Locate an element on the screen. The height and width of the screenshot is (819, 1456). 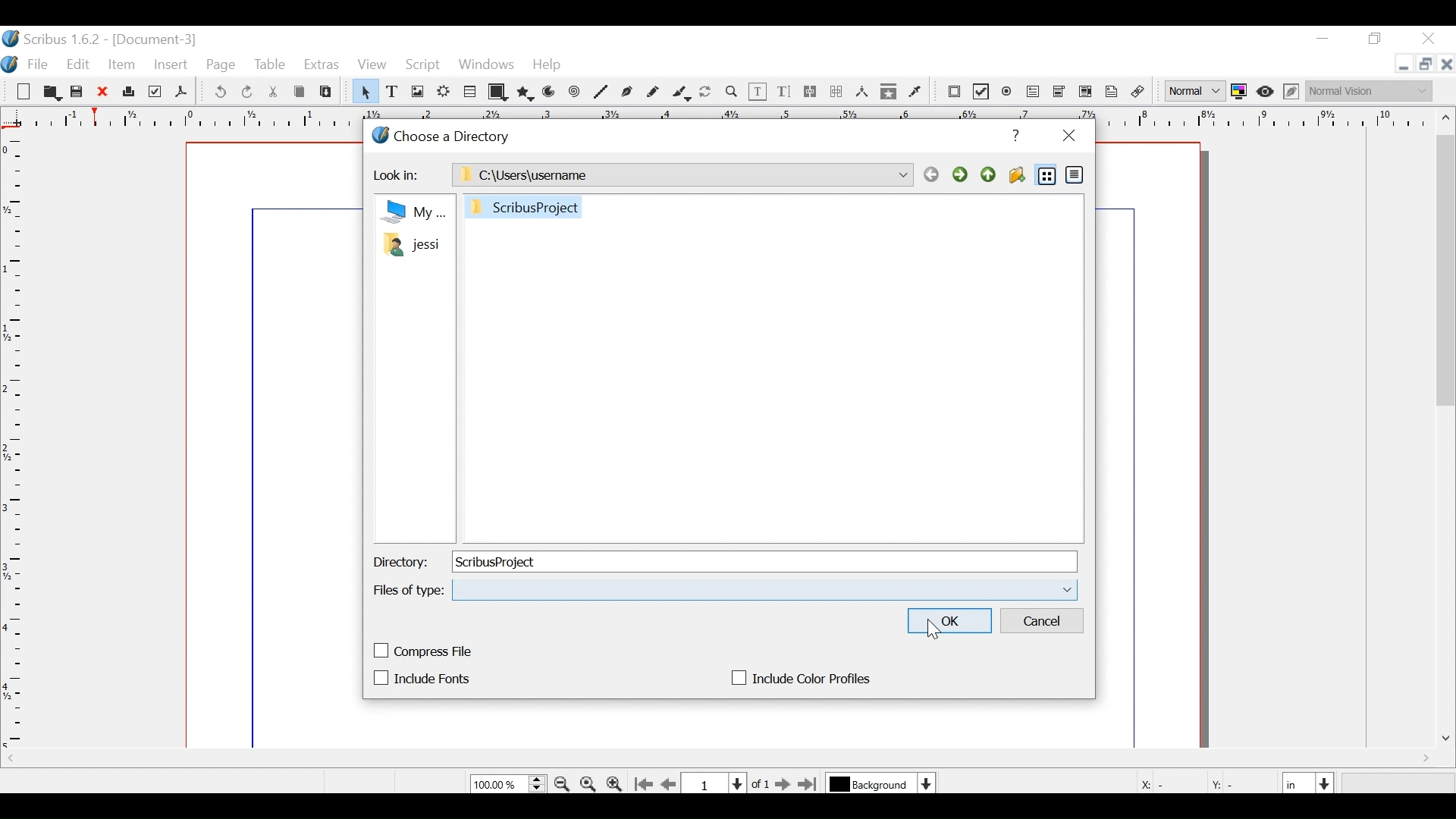
Page is located at coordinates (222, 67).